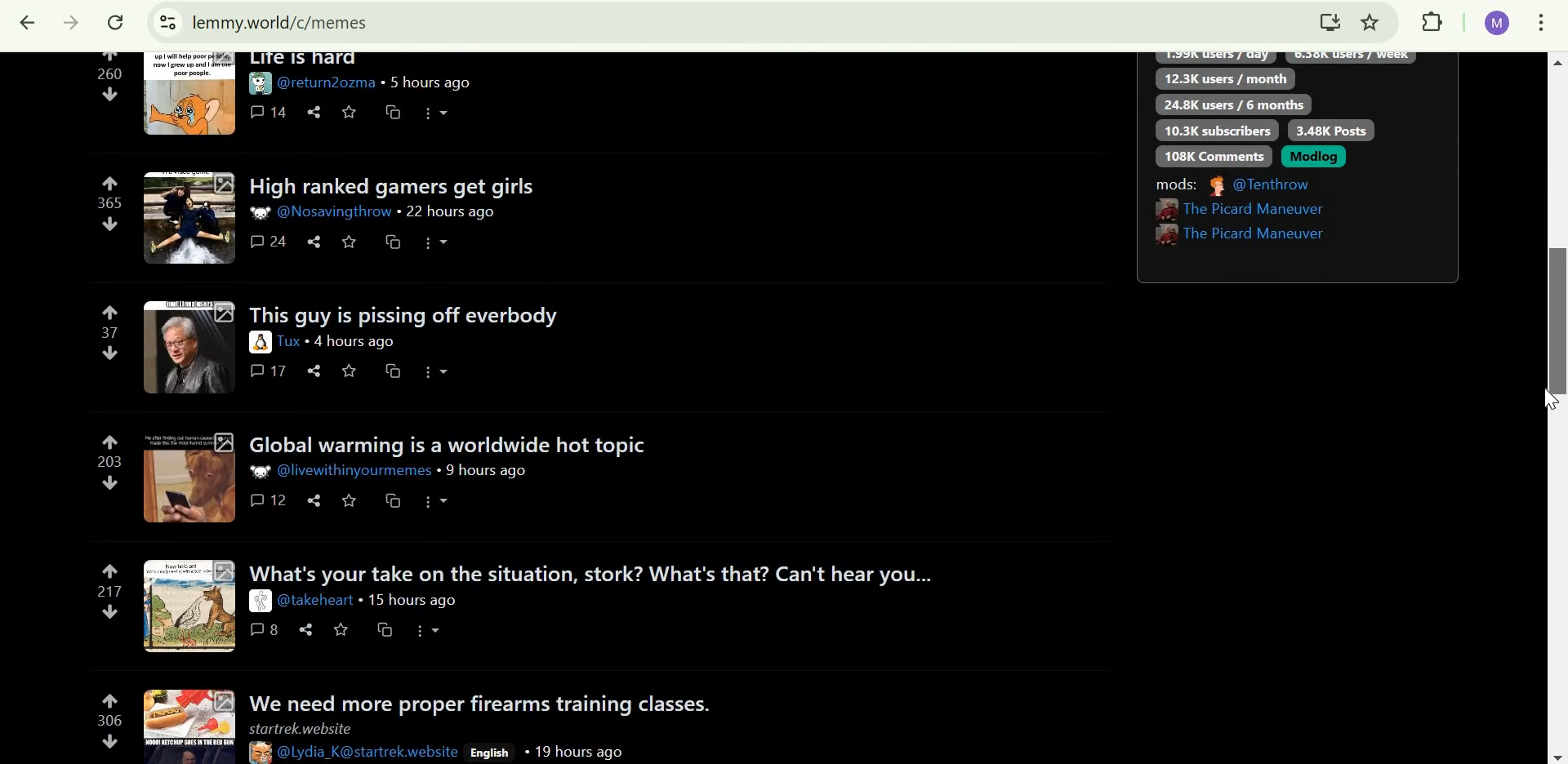  Describe the element at coordinates (411, 601) in the screenshot. I see `15 hours ago` at that location.